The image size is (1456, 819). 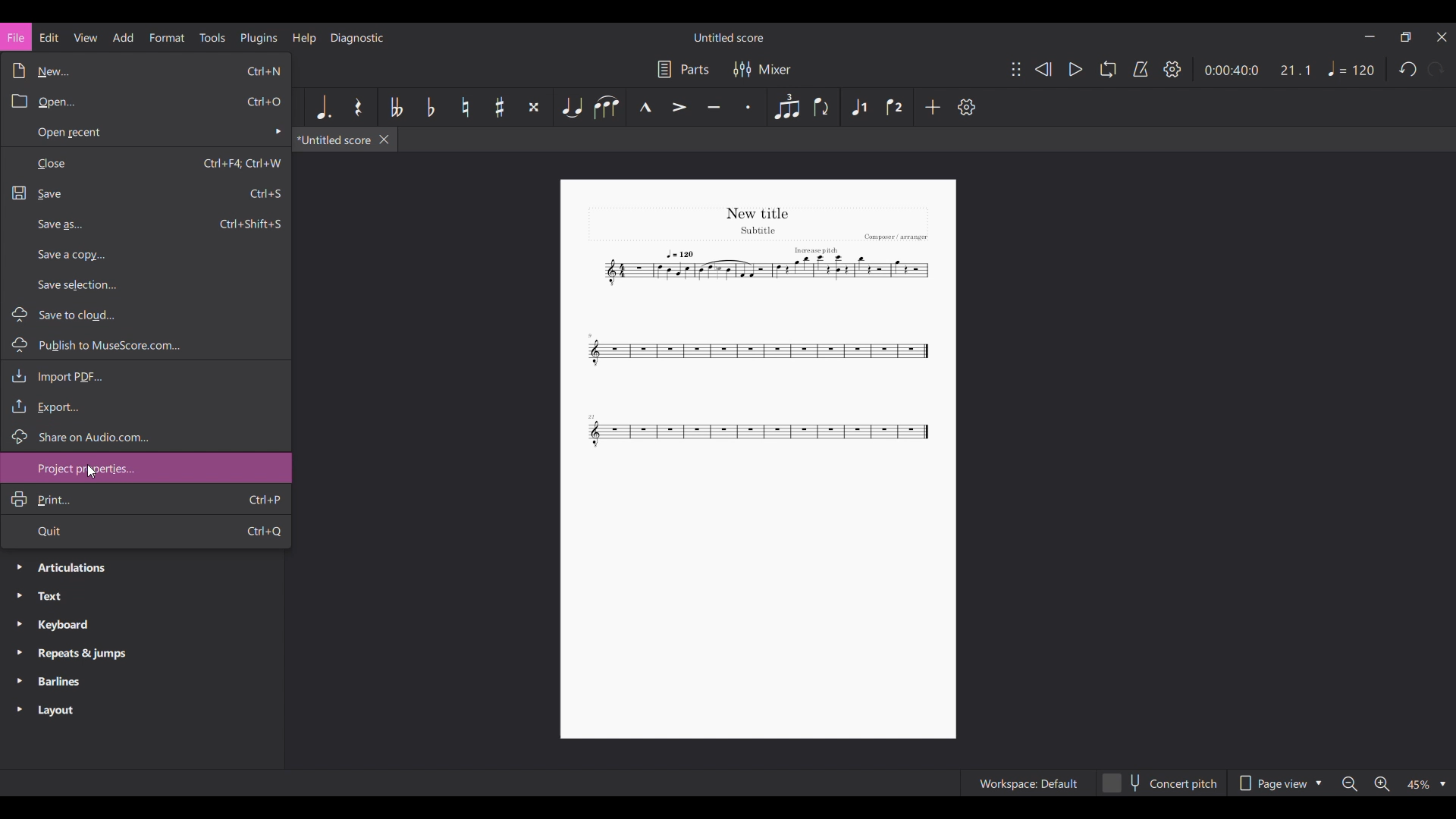 I want to click on Current ratio, so click(x=1295, y=70).